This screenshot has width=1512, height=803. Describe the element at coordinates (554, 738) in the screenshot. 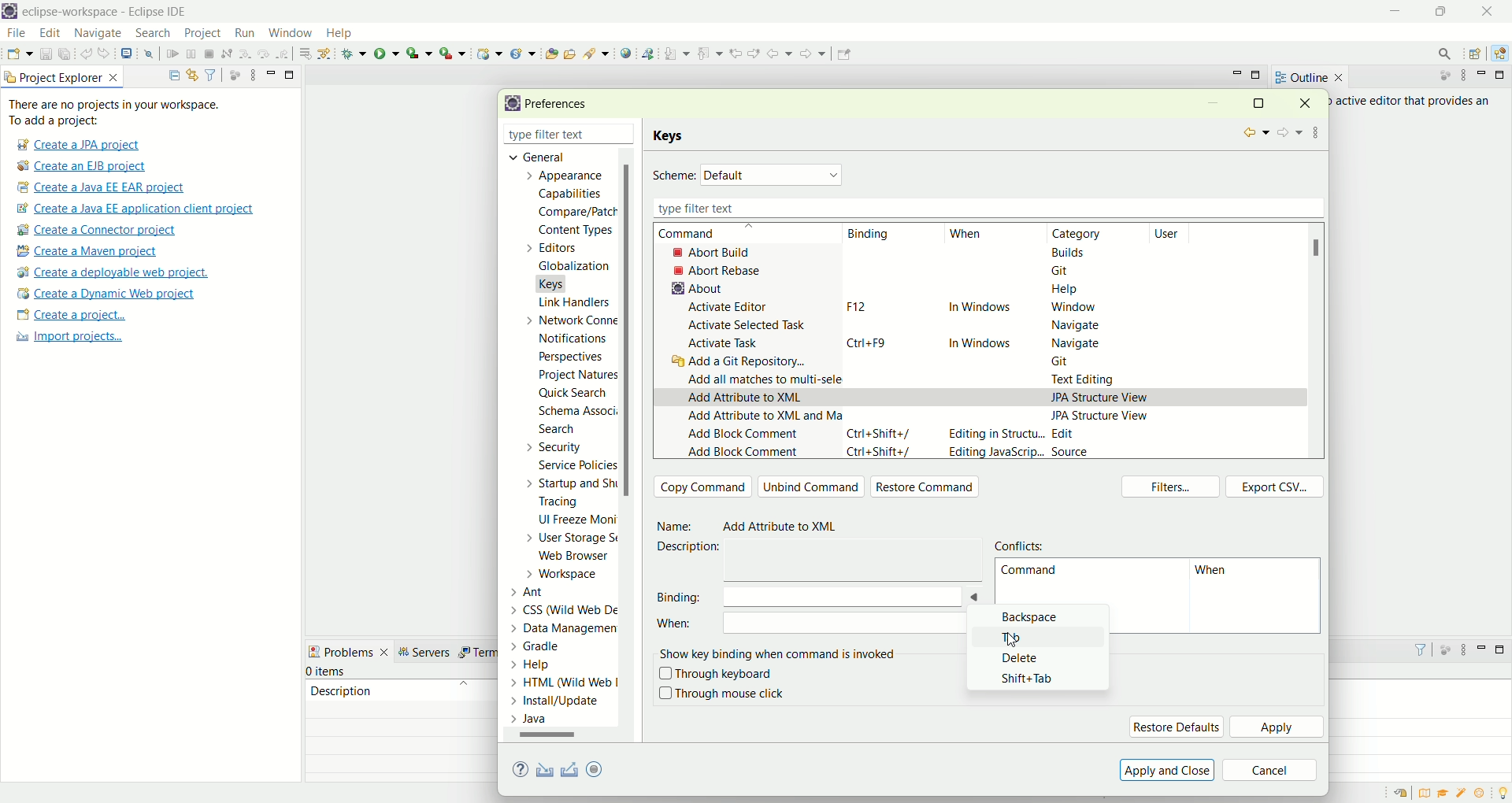

I see `scroll bar` at that location.